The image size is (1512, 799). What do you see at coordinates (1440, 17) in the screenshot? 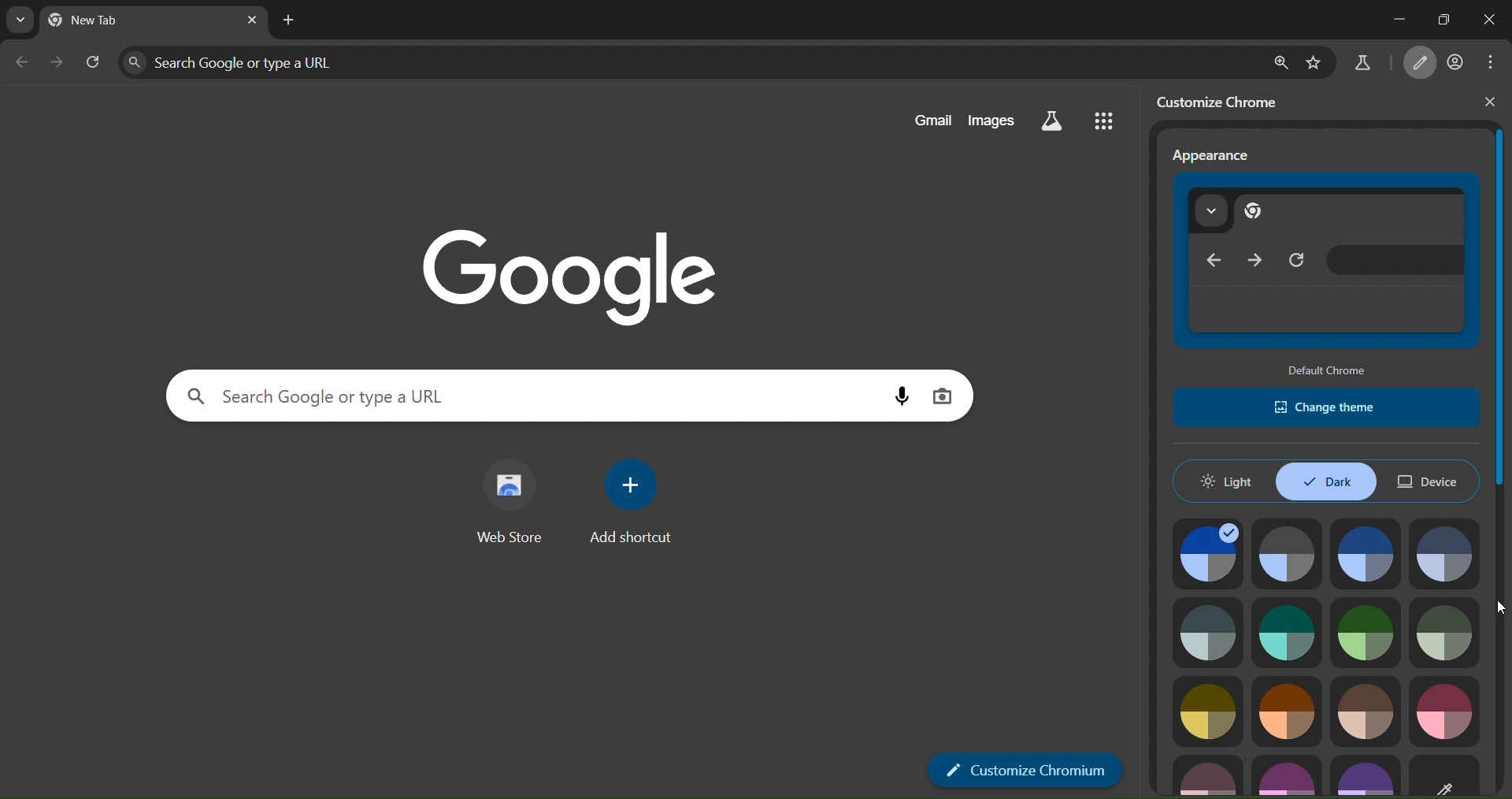
I see `restore down` at bounding box center [1440, 17].